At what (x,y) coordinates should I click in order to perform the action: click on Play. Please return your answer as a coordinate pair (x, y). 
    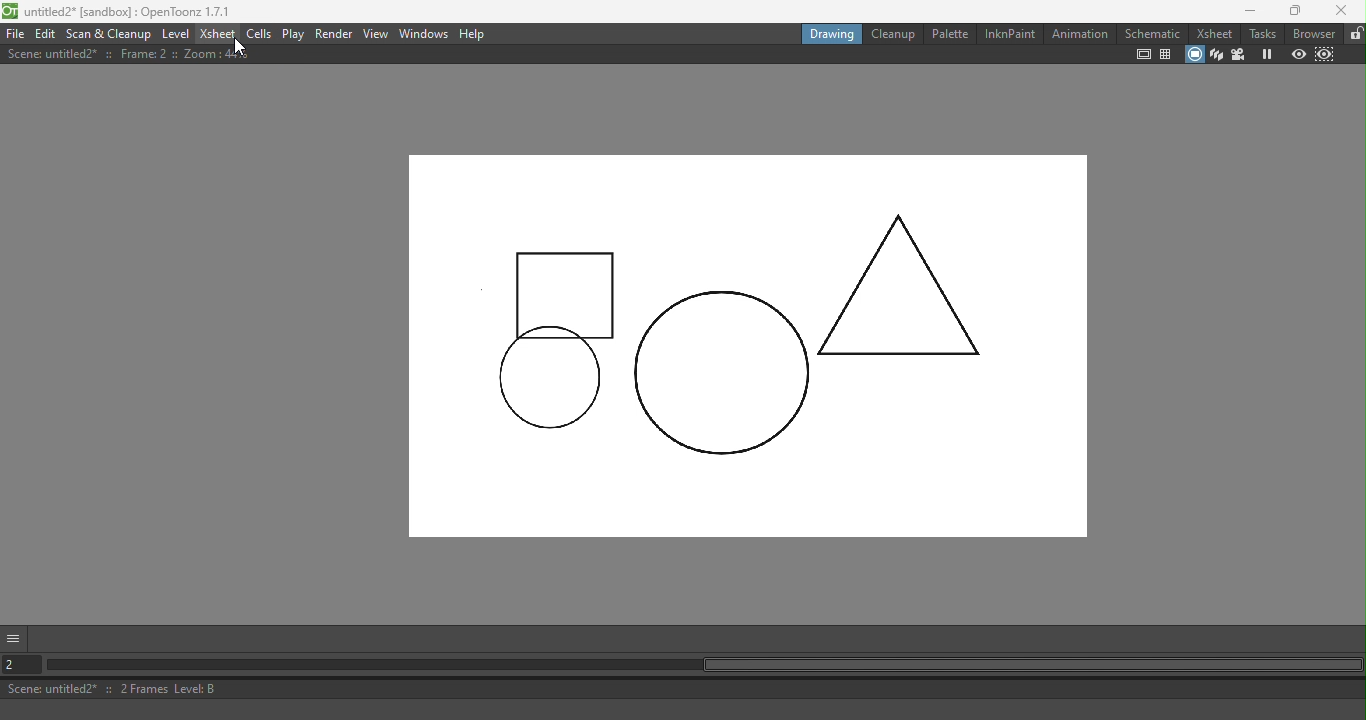
    Looking at the image, I should click on (293, 34).